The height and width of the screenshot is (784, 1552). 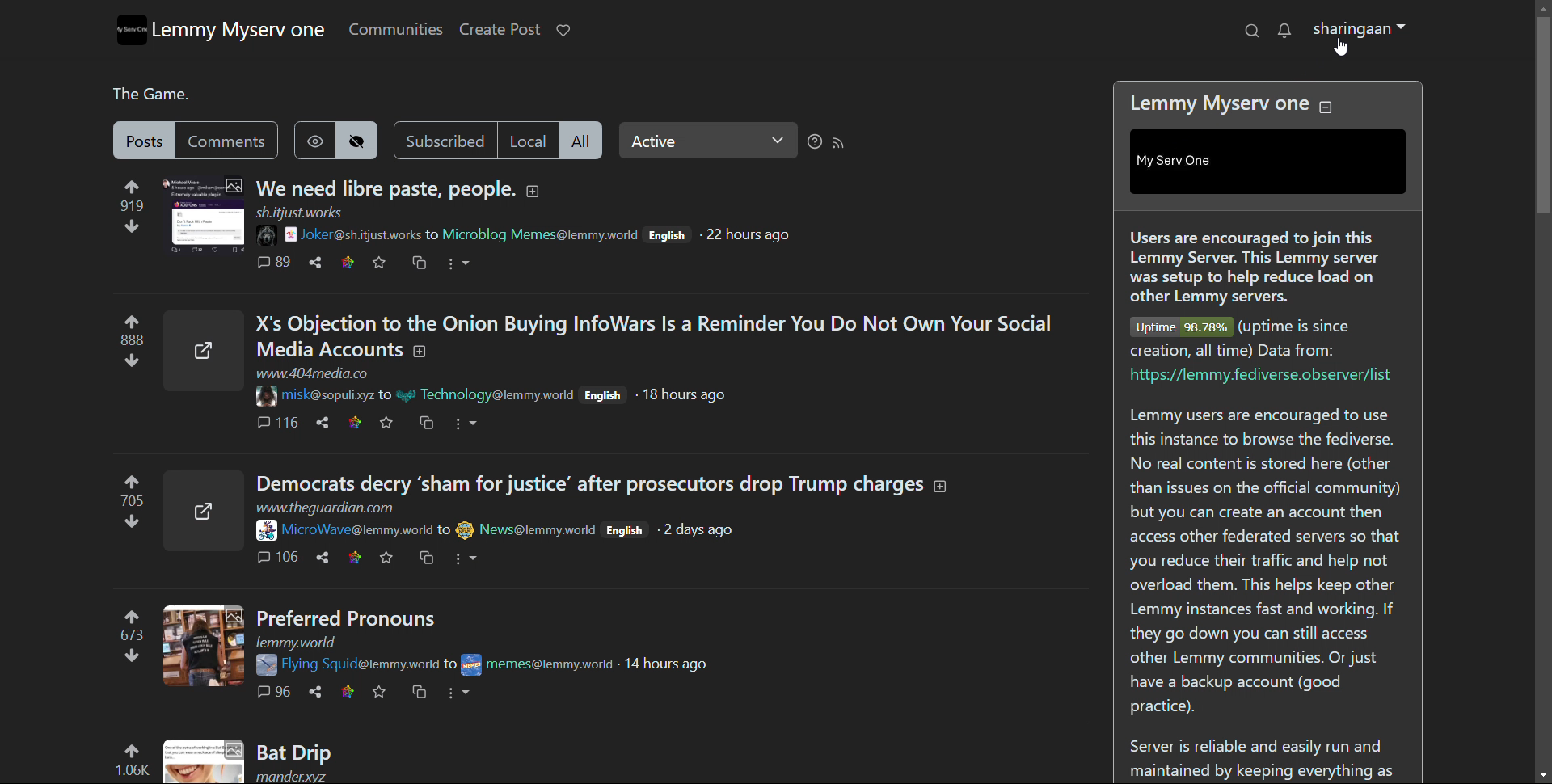 What do you see at coordinates (532, 192) in the screenshot?
I see `expand` at bounding box center [532, 192].